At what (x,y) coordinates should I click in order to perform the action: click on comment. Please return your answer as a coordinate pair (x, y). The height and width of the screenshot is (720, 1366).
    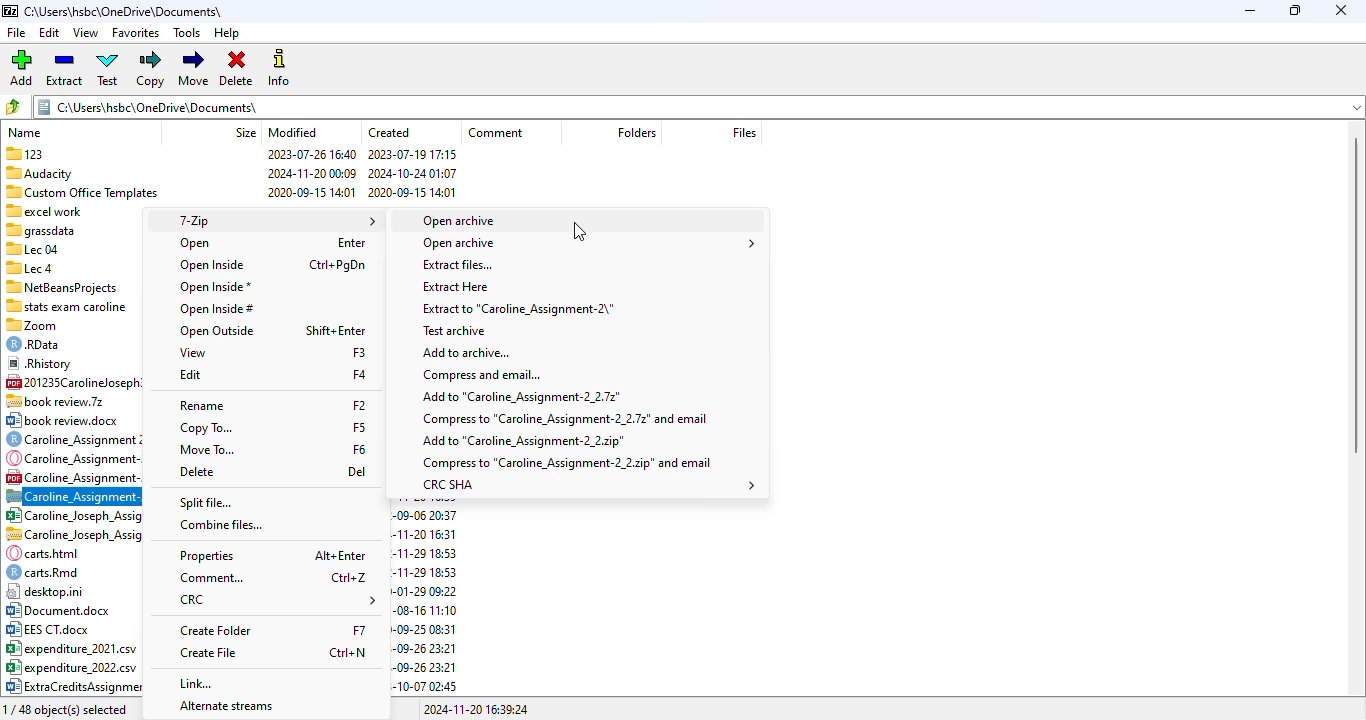
    Looking at the image, I should click on (212, 578).